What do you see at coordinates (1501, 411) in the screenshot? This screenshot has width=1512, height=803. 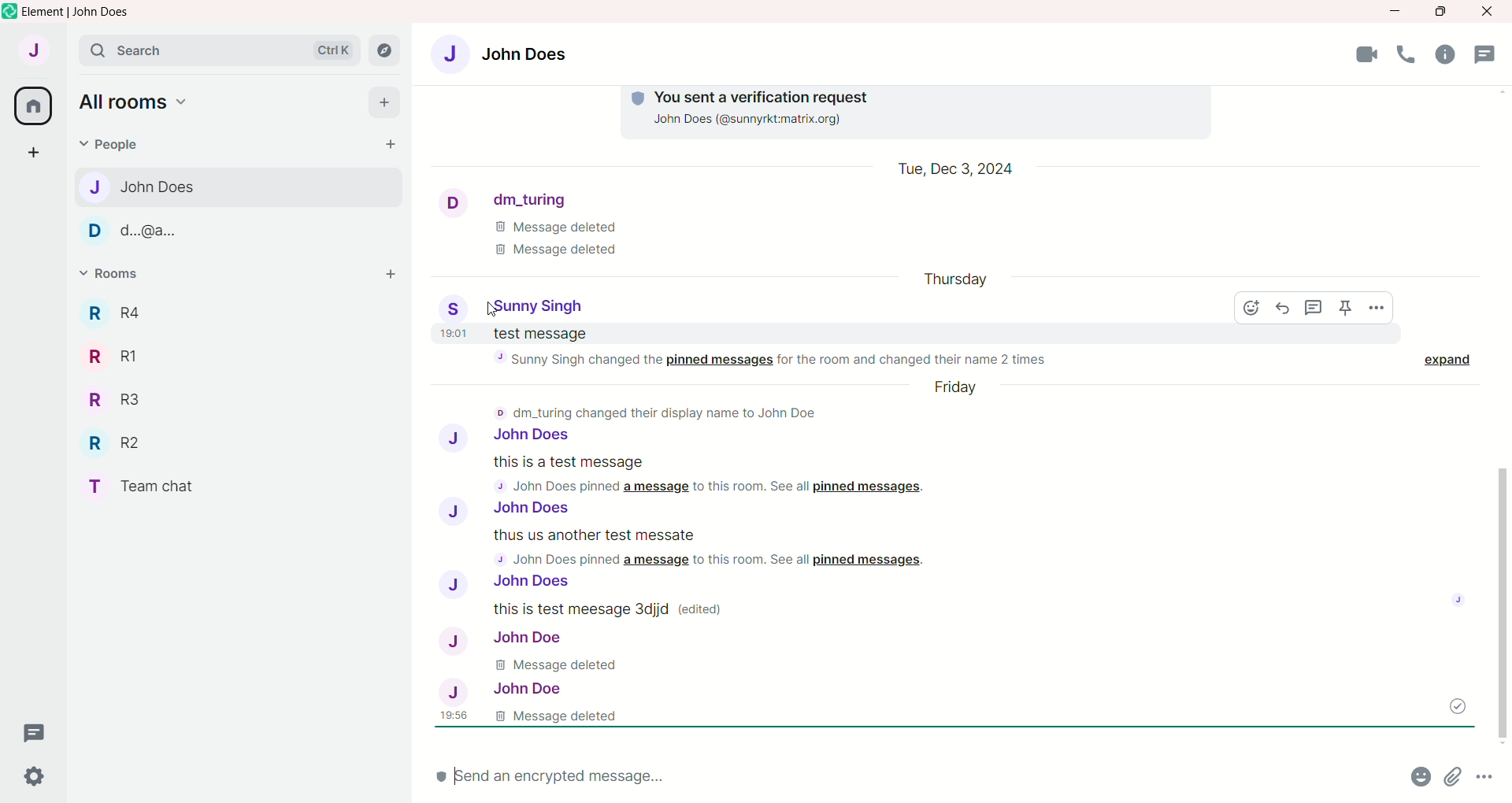 I see `vertical scroll bar` at bounding box center [1501, 411].